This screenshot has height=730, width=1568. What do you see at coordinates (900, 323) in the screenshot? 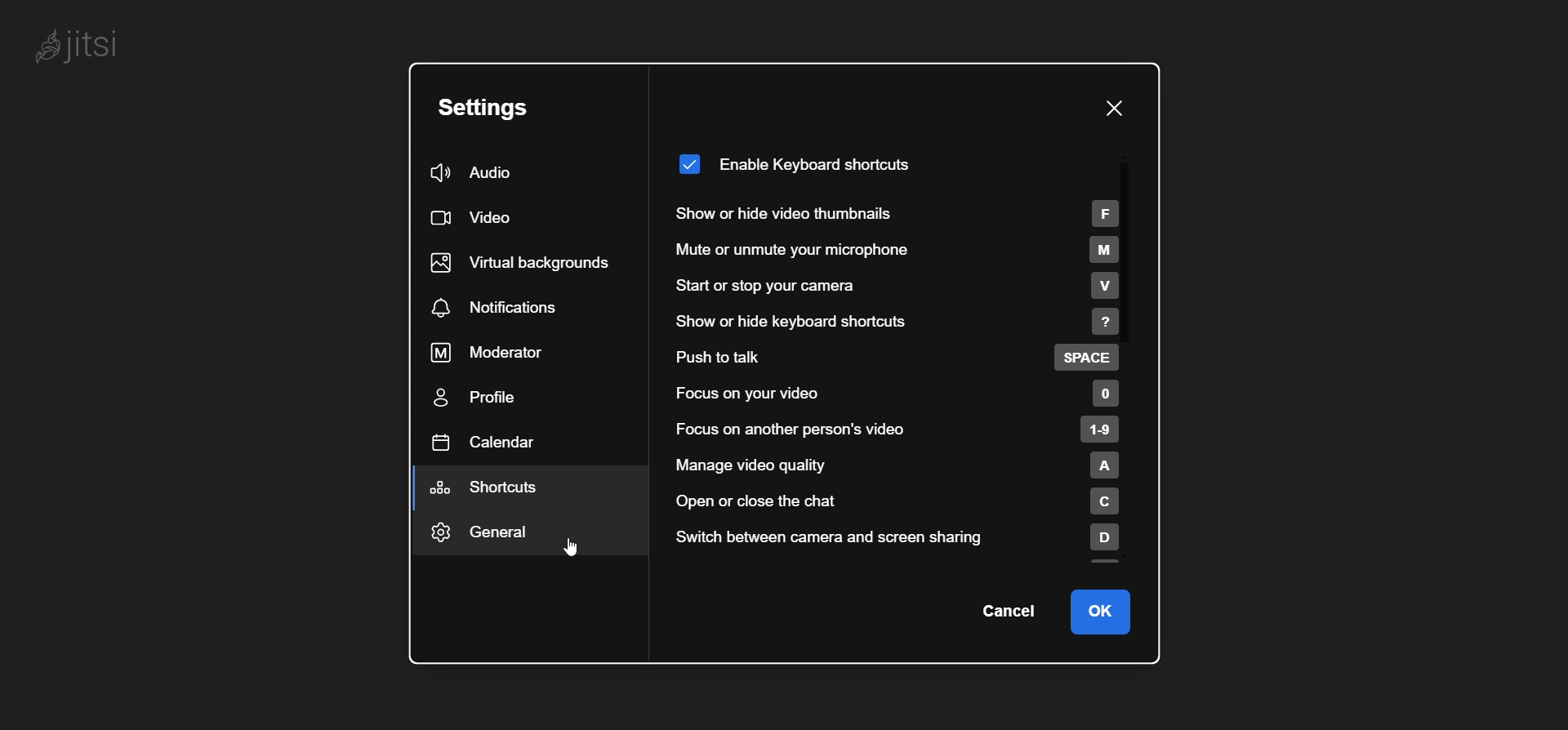
I see `show or hide keyboard shortcut` at bounding box center [900, 323].